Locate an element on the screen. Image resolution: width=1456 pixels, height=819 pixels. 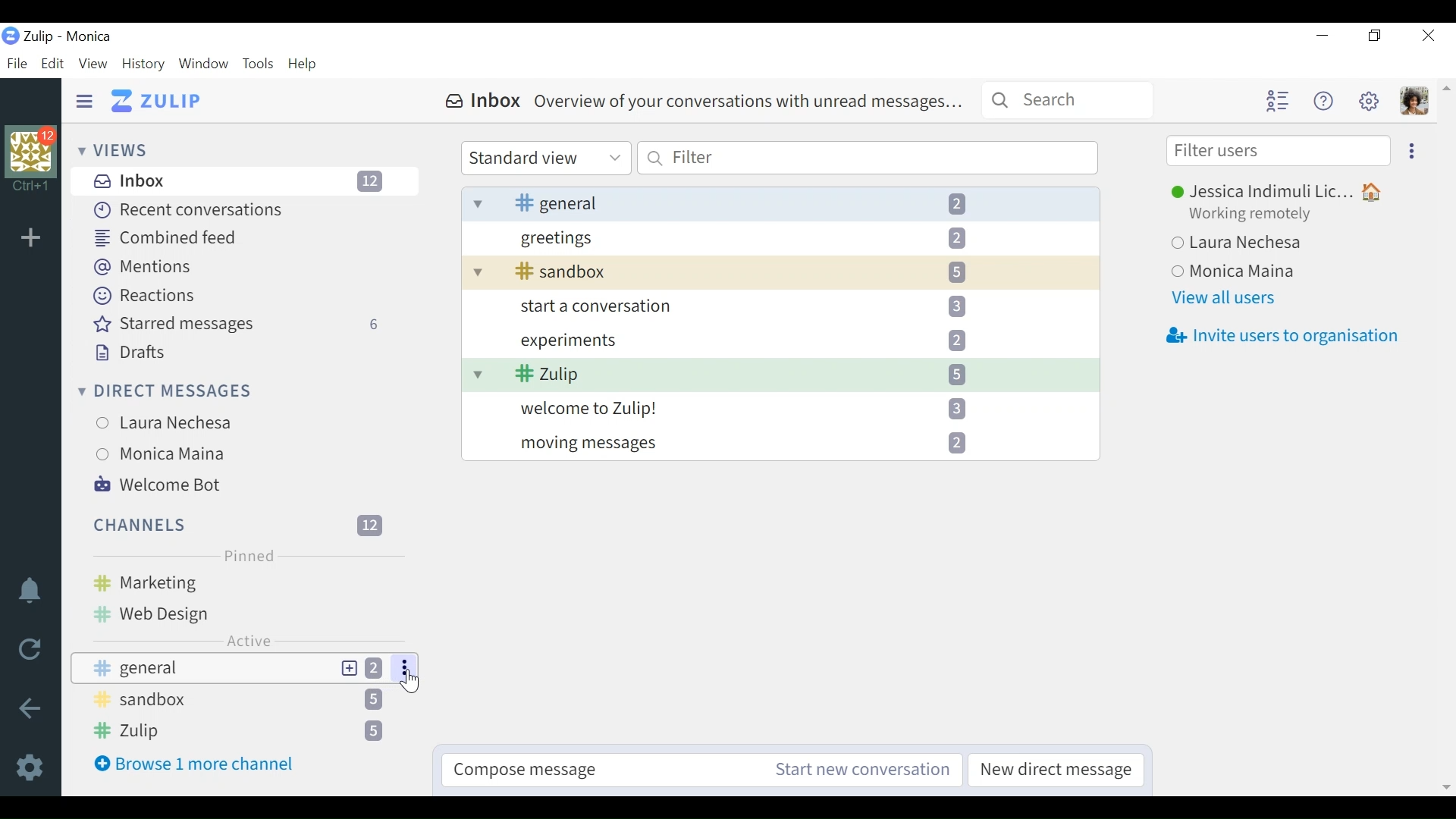
Zulip 5 is located at coordinates (780, 375).